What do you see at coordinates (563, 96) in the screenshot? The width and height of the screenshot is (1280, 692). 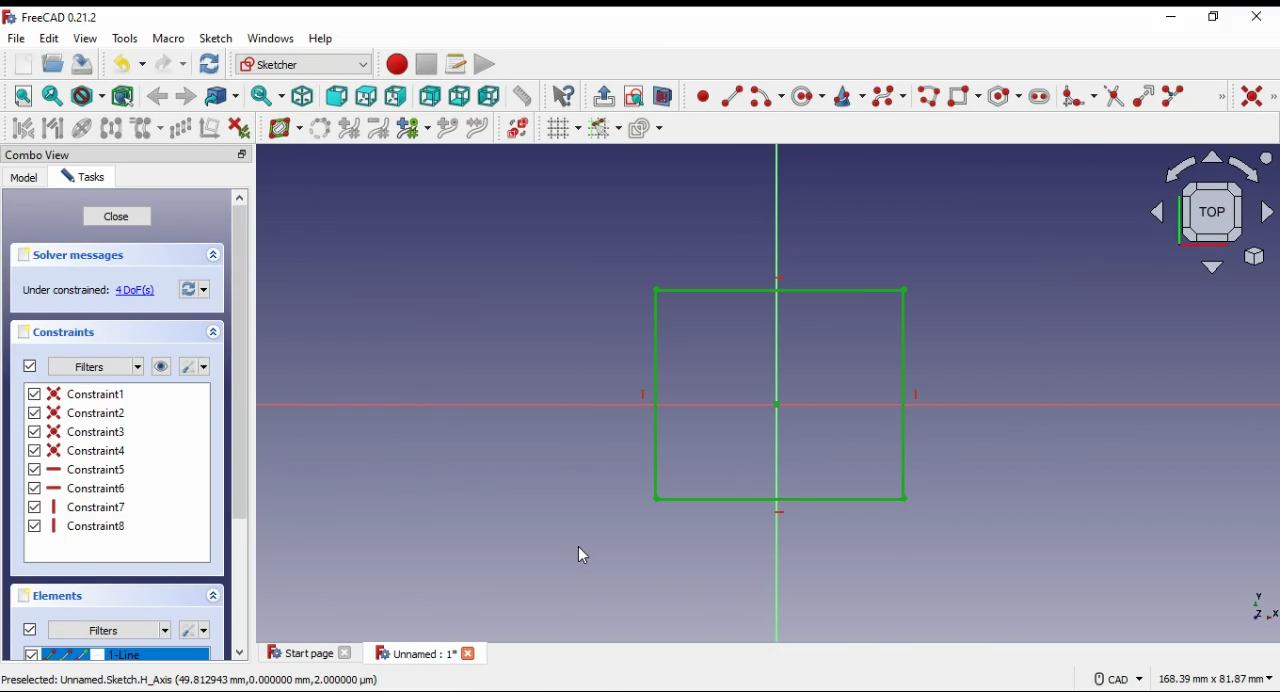 I see `what's this` at bounding box center [563, 96].